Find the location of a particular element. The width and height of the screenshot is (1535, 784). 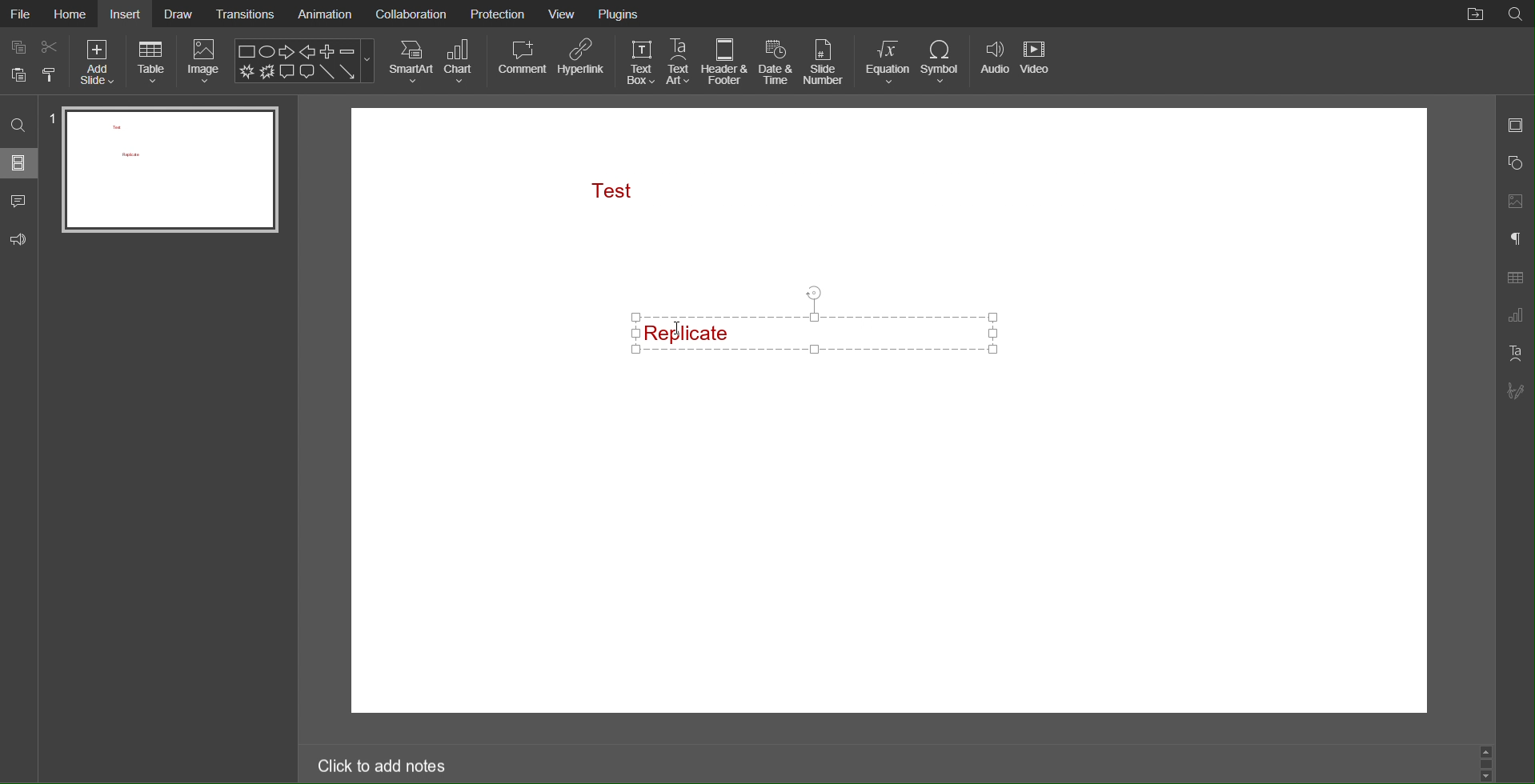

Slide Settings is located at coordinates (1516, 124).